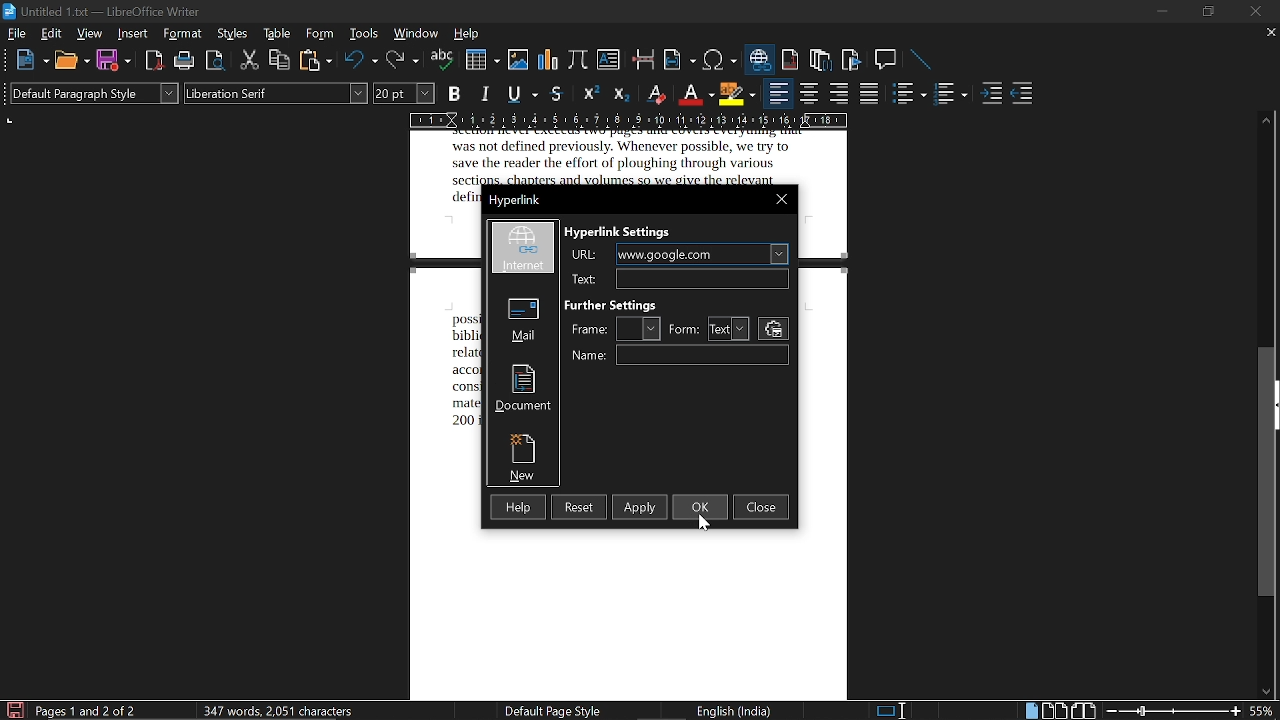 The width and height of the screenshot is (1280, 720). I want to click on align left, so click(777, 95).